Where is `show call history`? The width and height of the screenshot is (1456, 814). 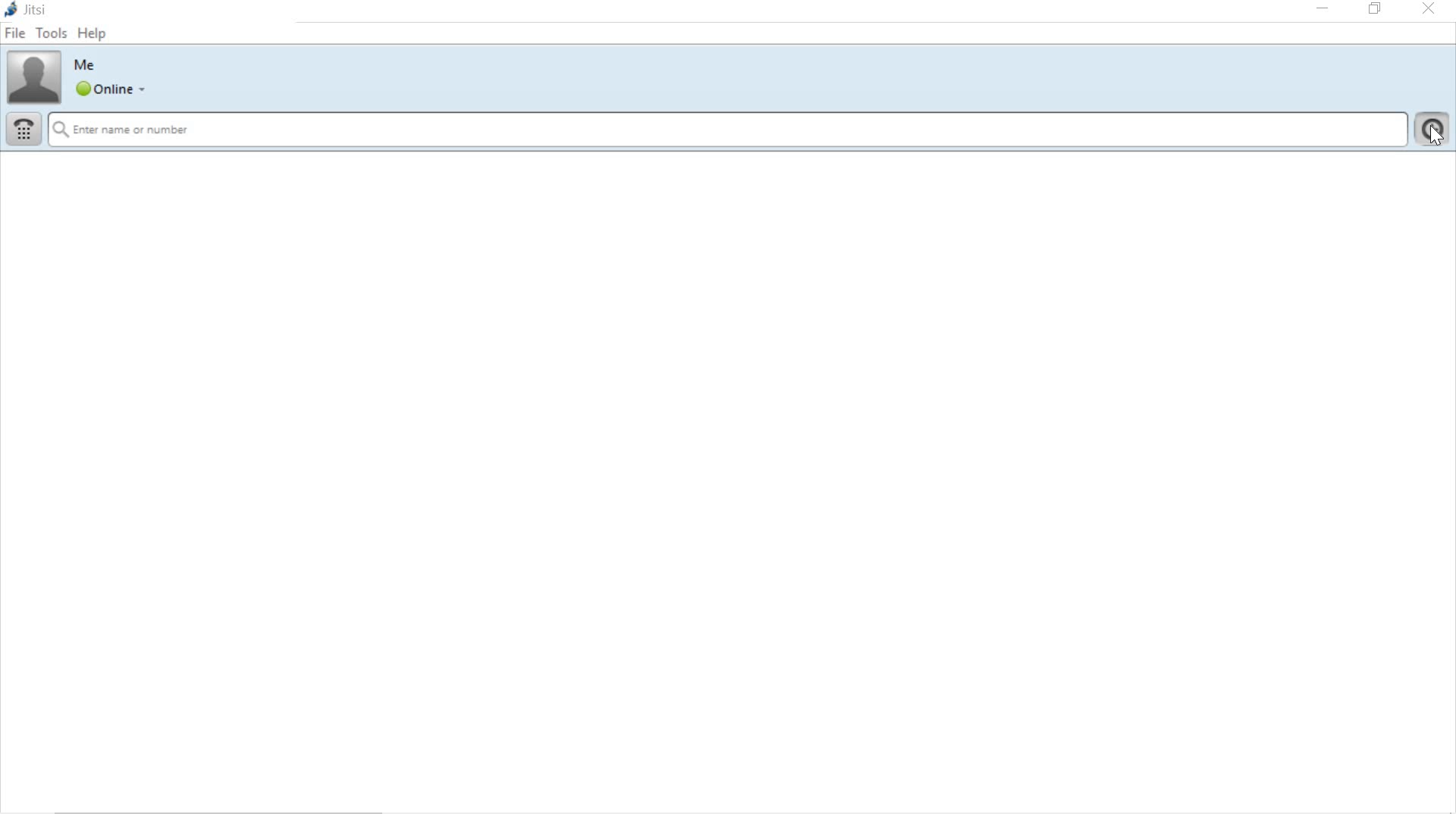
show call history is located at coordinates (1434, 128).